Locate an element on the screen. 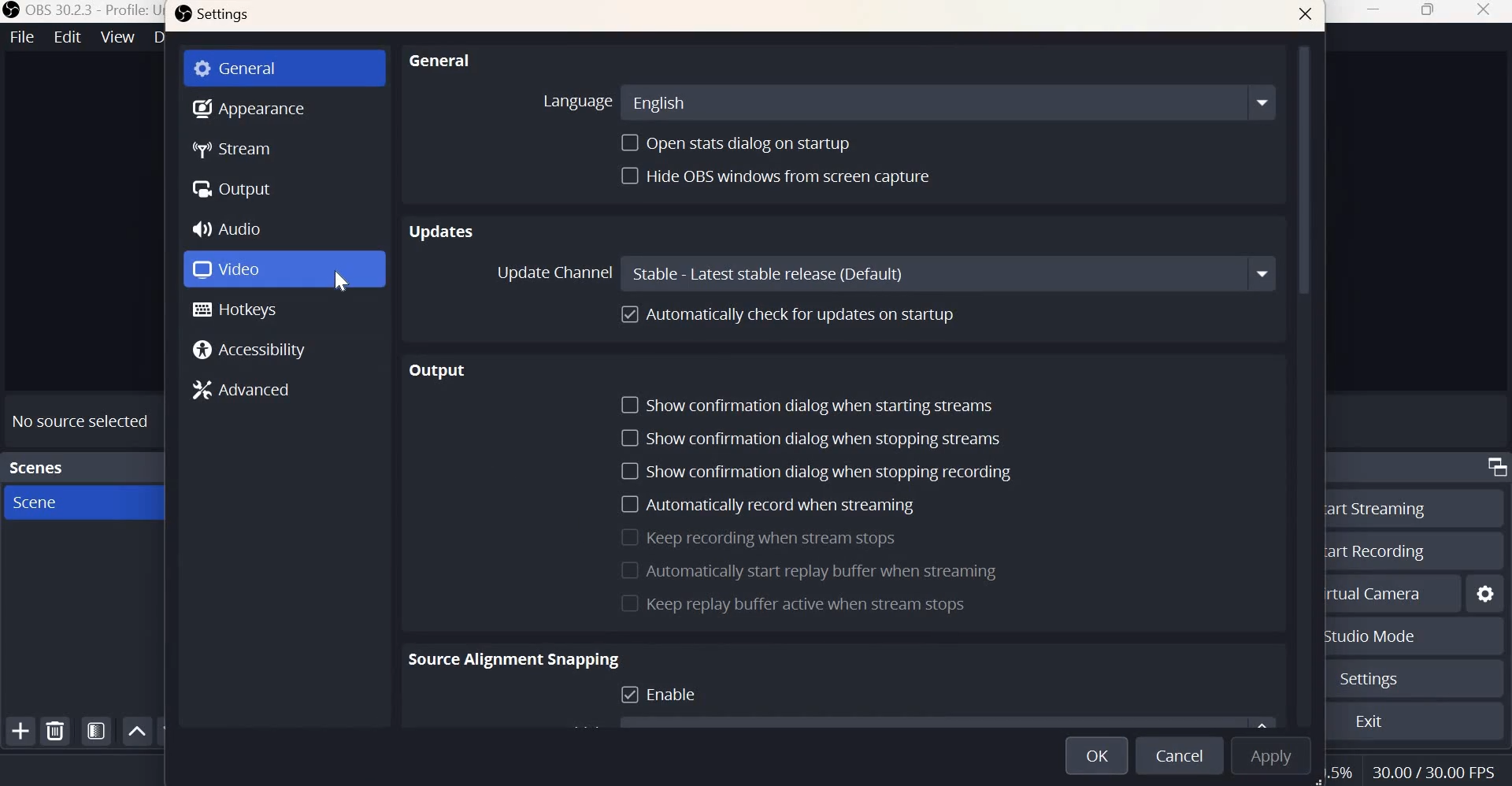 The width and height of the screenshot is (1512, 786). Source Alignment Snapping is located at coordinates (516, 658).